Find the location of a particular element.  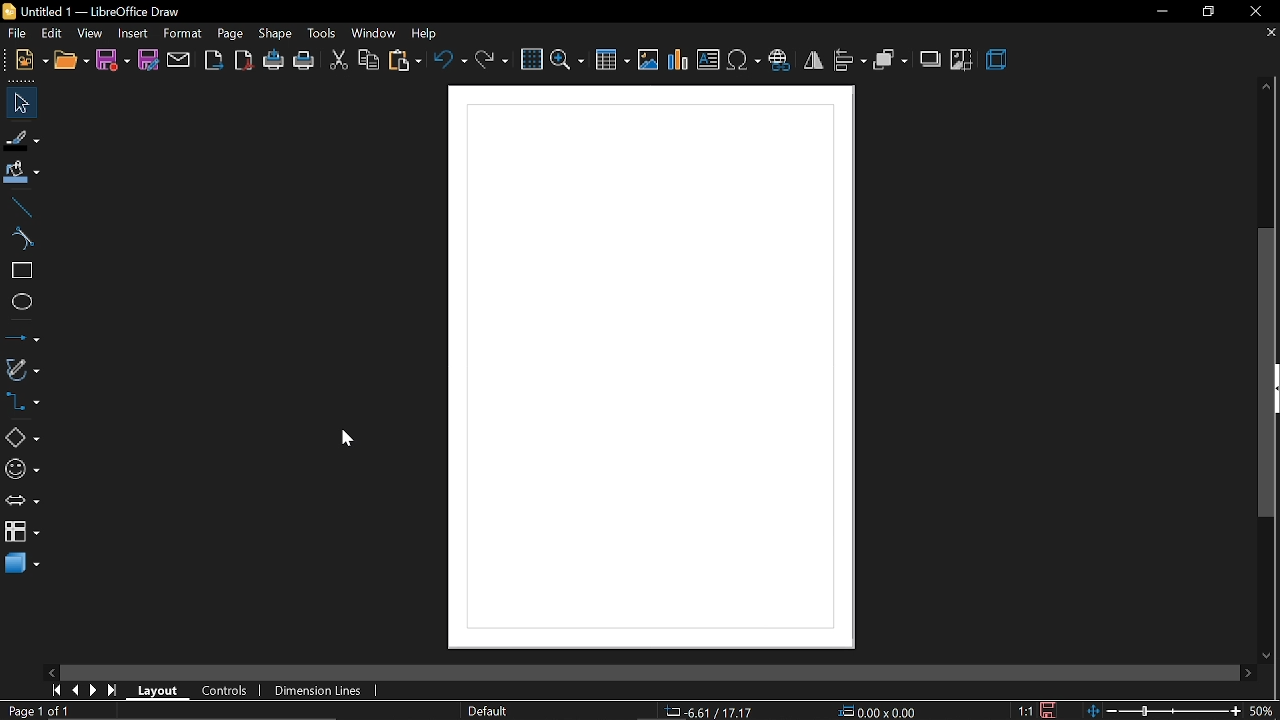

close tab is located at coordinates (1269, 32).